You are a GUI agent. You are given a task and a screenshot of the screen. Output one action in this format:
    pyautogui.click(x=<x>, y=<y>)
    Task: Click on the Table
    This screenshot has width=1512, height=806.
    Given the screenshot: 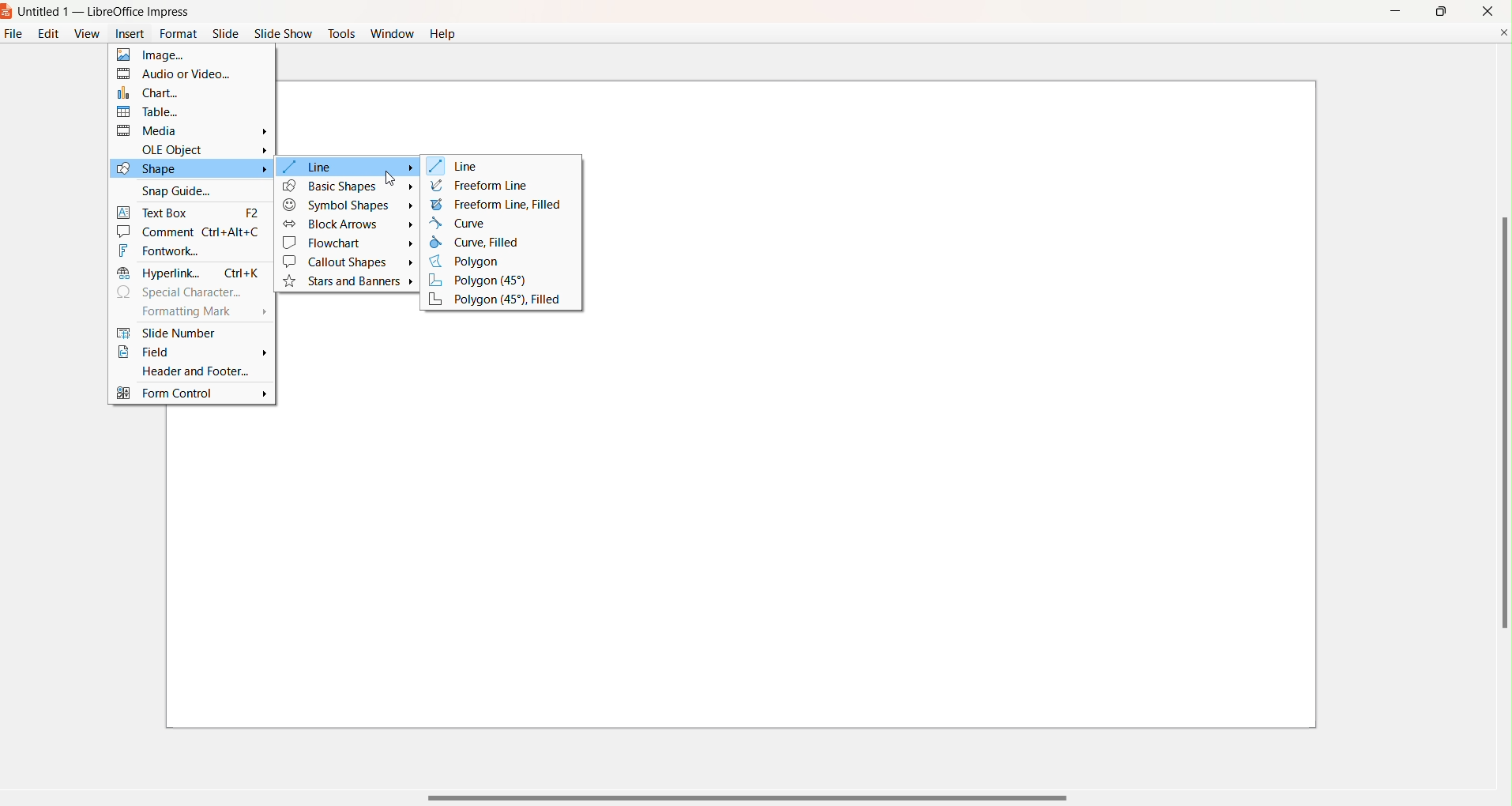 What is the action you would take?
    pyautogui.click(x=182, y=111)
    